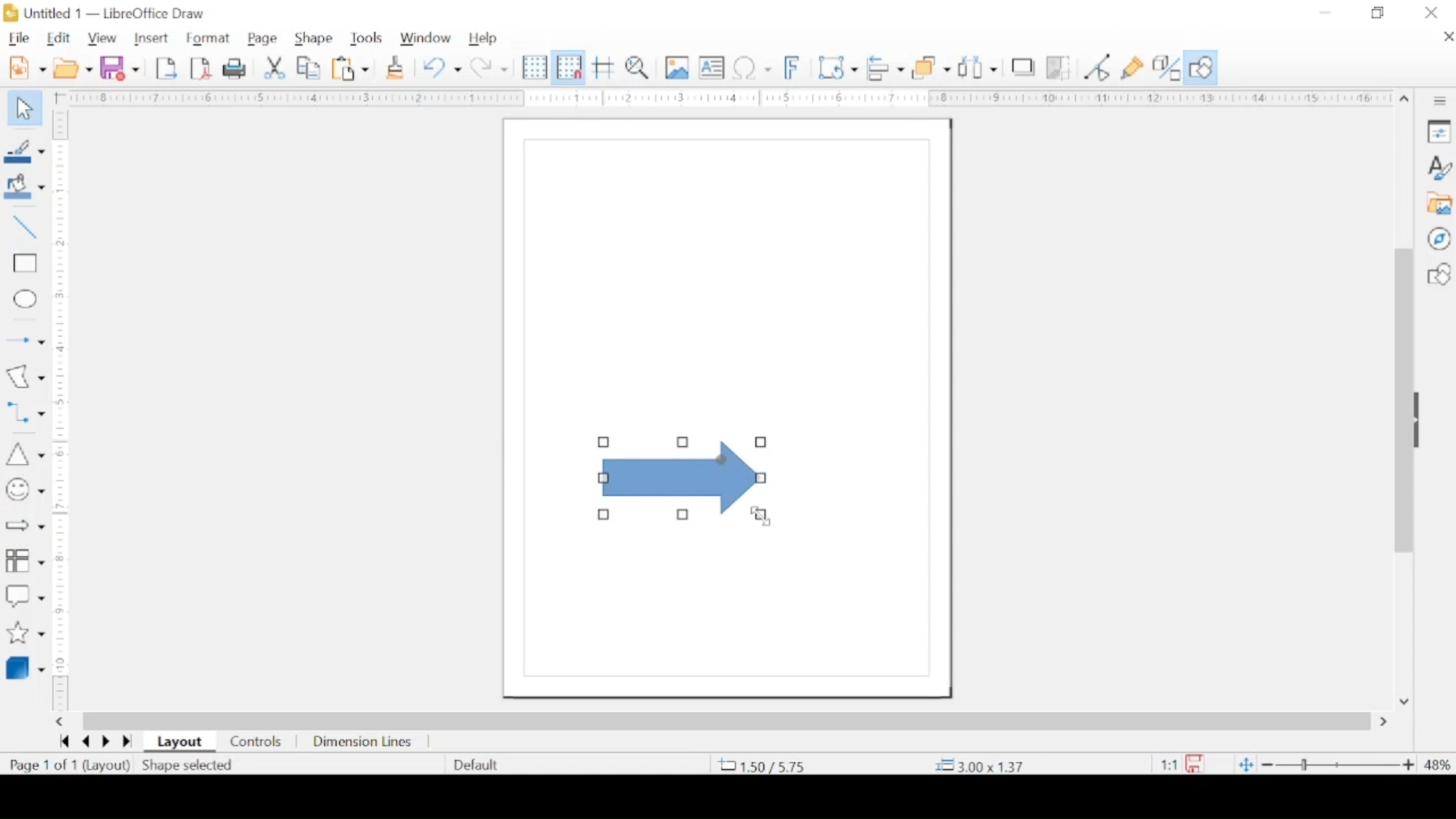  I want to click on new, so click(27, 67).